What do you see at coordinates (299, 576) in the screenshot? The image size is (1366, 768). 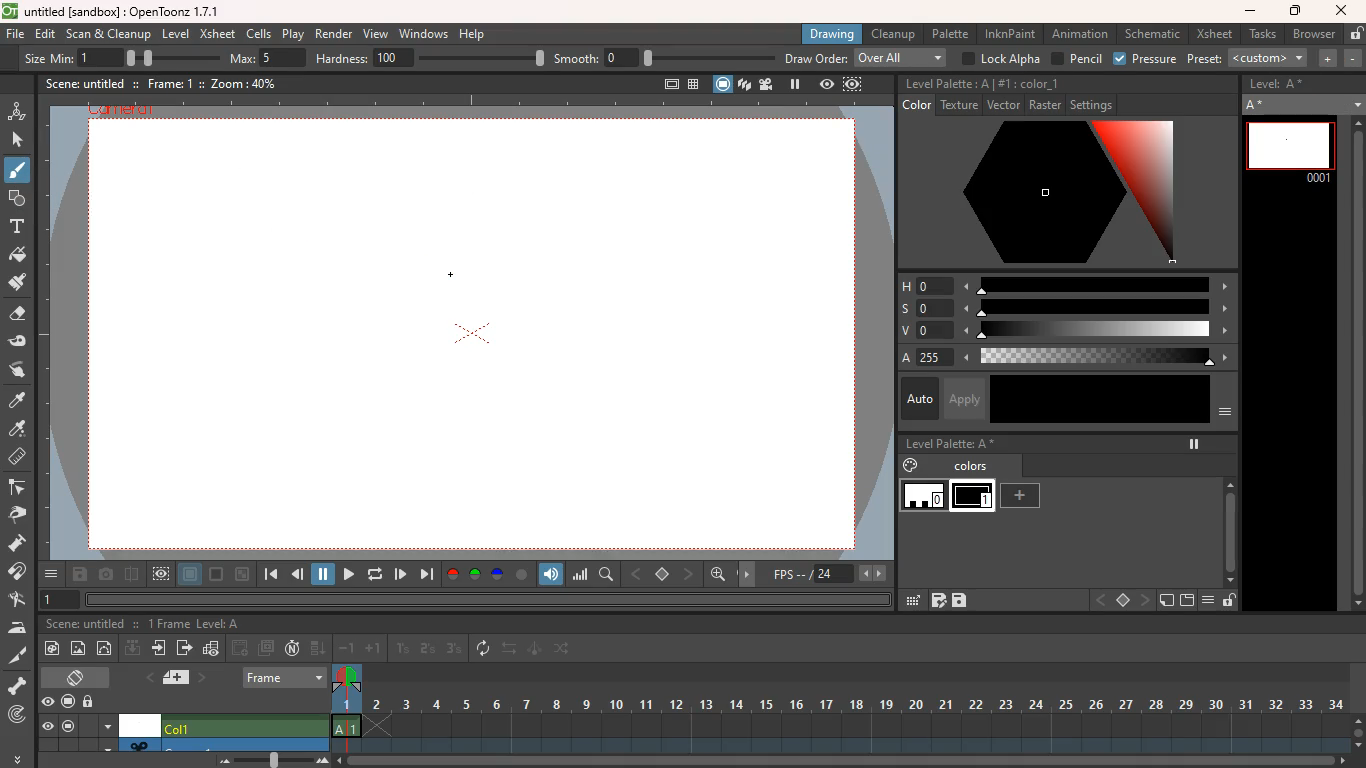 I see `back` at bounding box center [299, 576].